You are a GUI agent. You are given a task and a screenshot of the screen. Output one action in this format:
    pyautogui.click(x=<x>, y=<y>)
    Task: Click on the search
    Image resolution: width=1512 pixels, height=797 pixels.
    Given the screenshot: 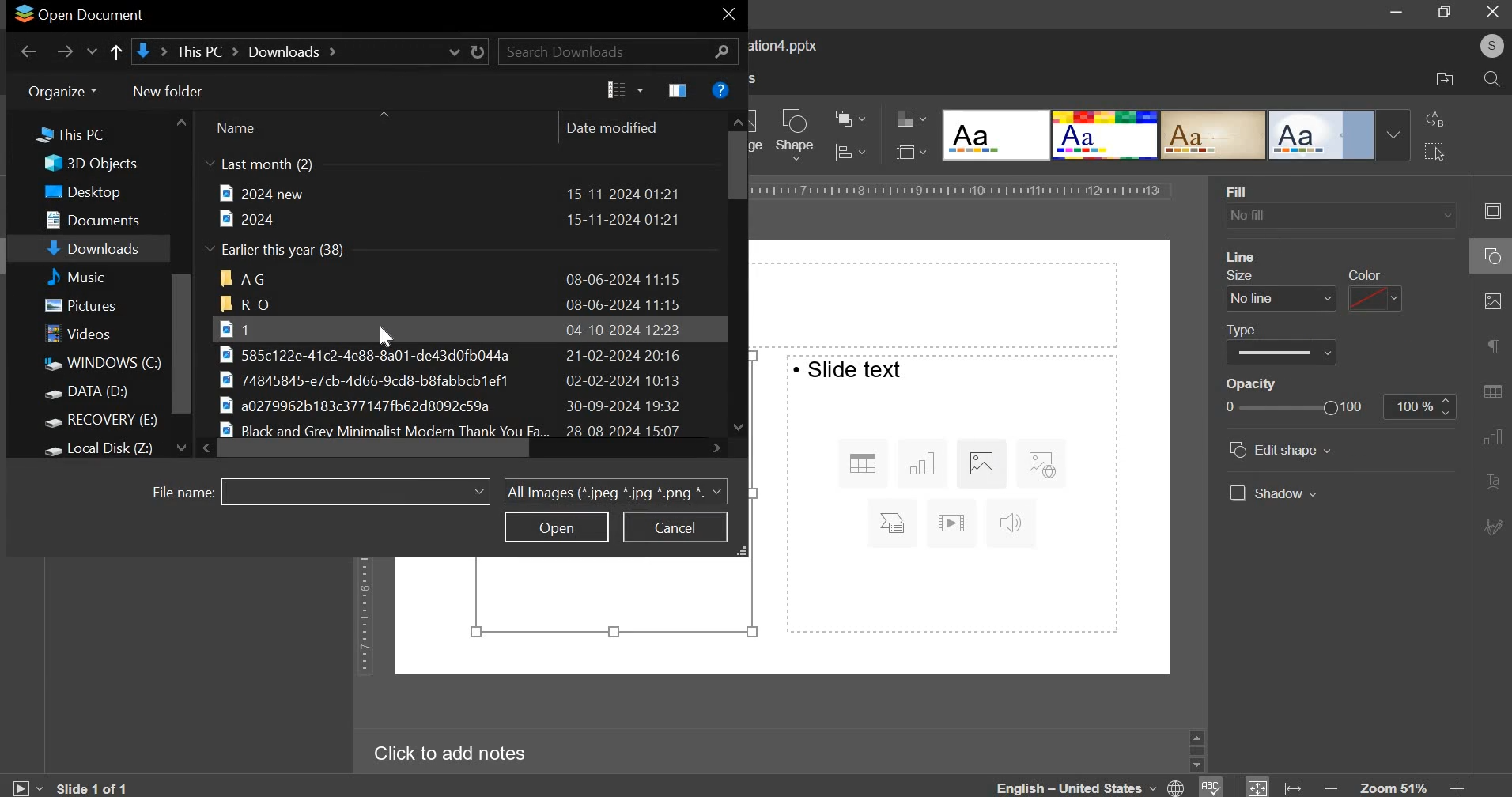 What is the action you would take?
    pyautogui.click(x=618, y=51)
    